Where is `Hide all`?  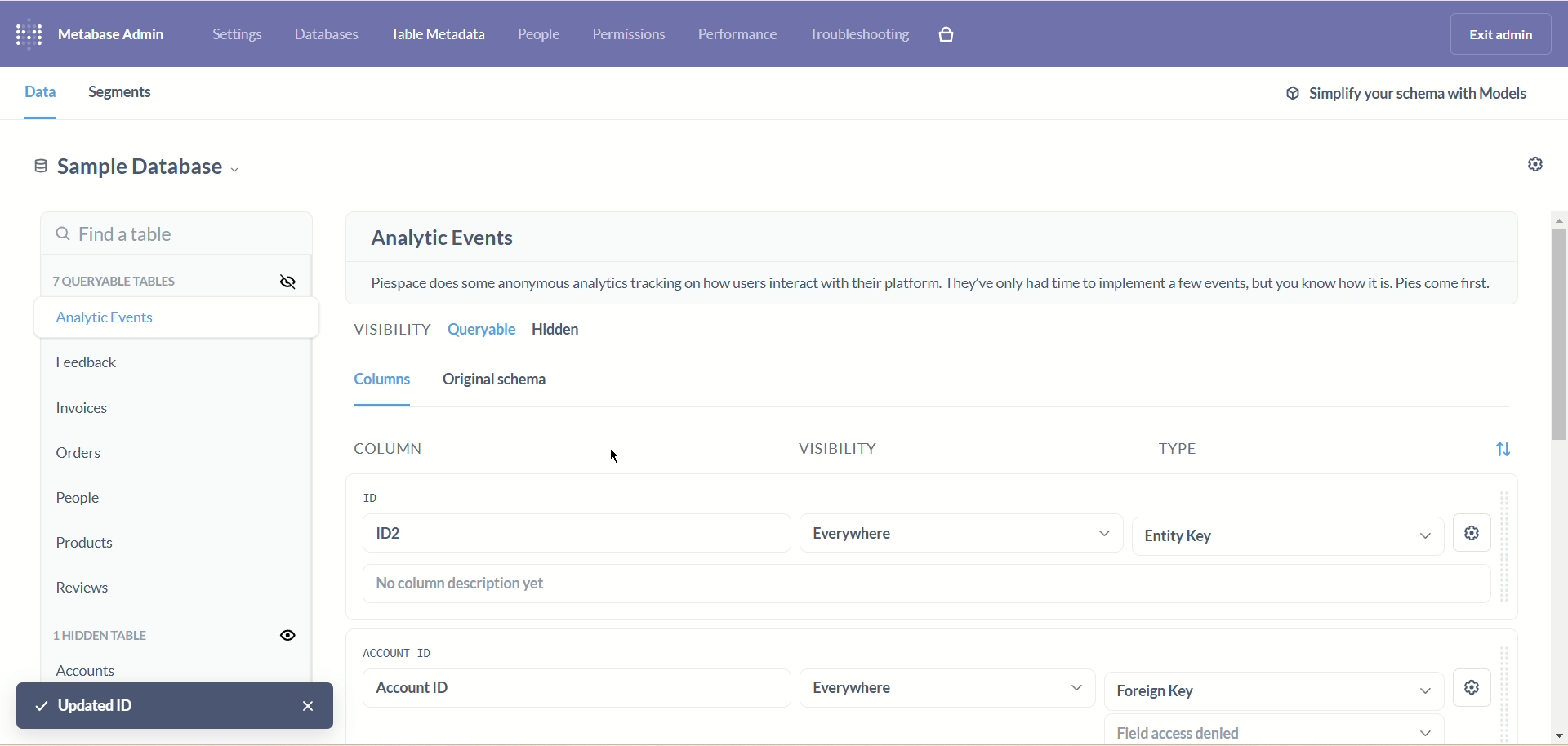
Hide all is located at coordinates (278, 279).